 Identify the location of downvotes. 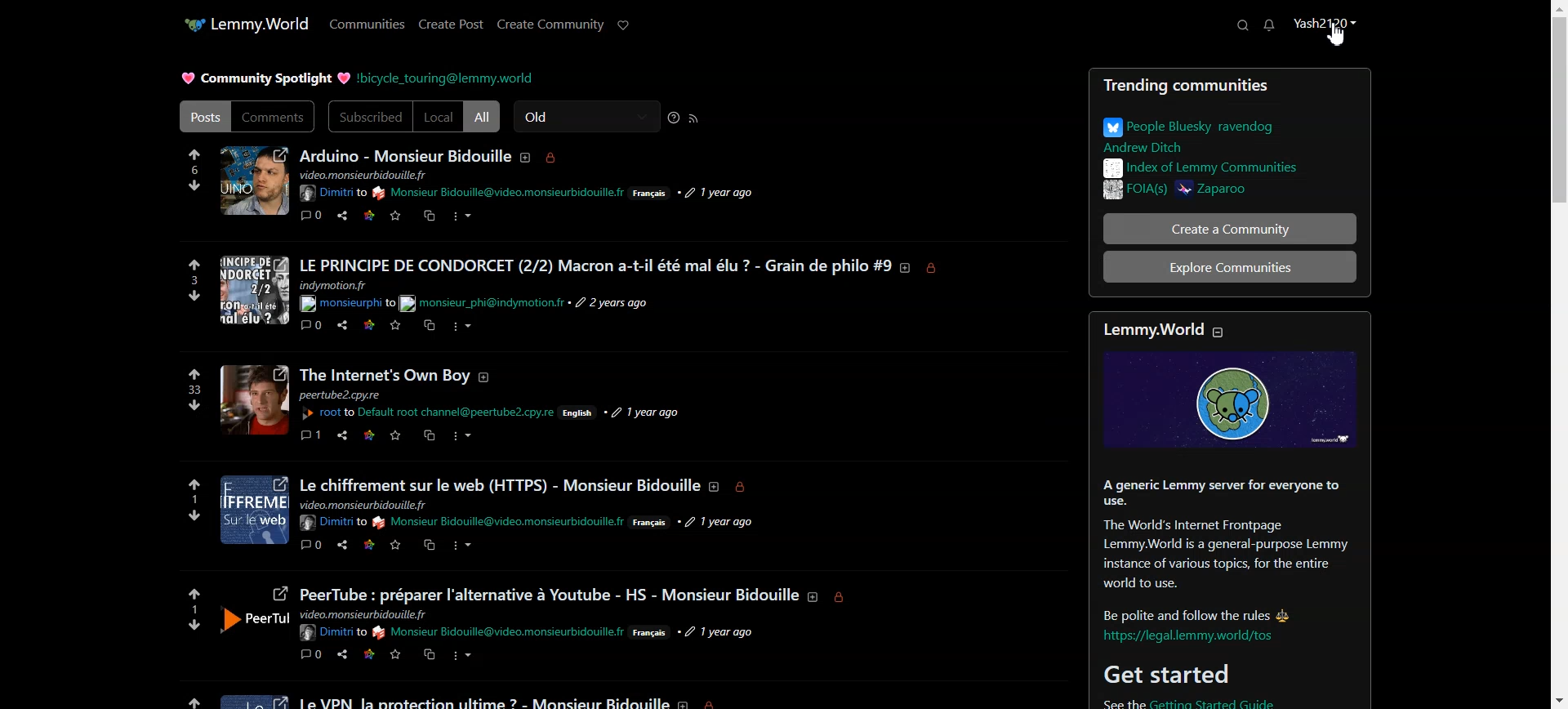
(184, 625).